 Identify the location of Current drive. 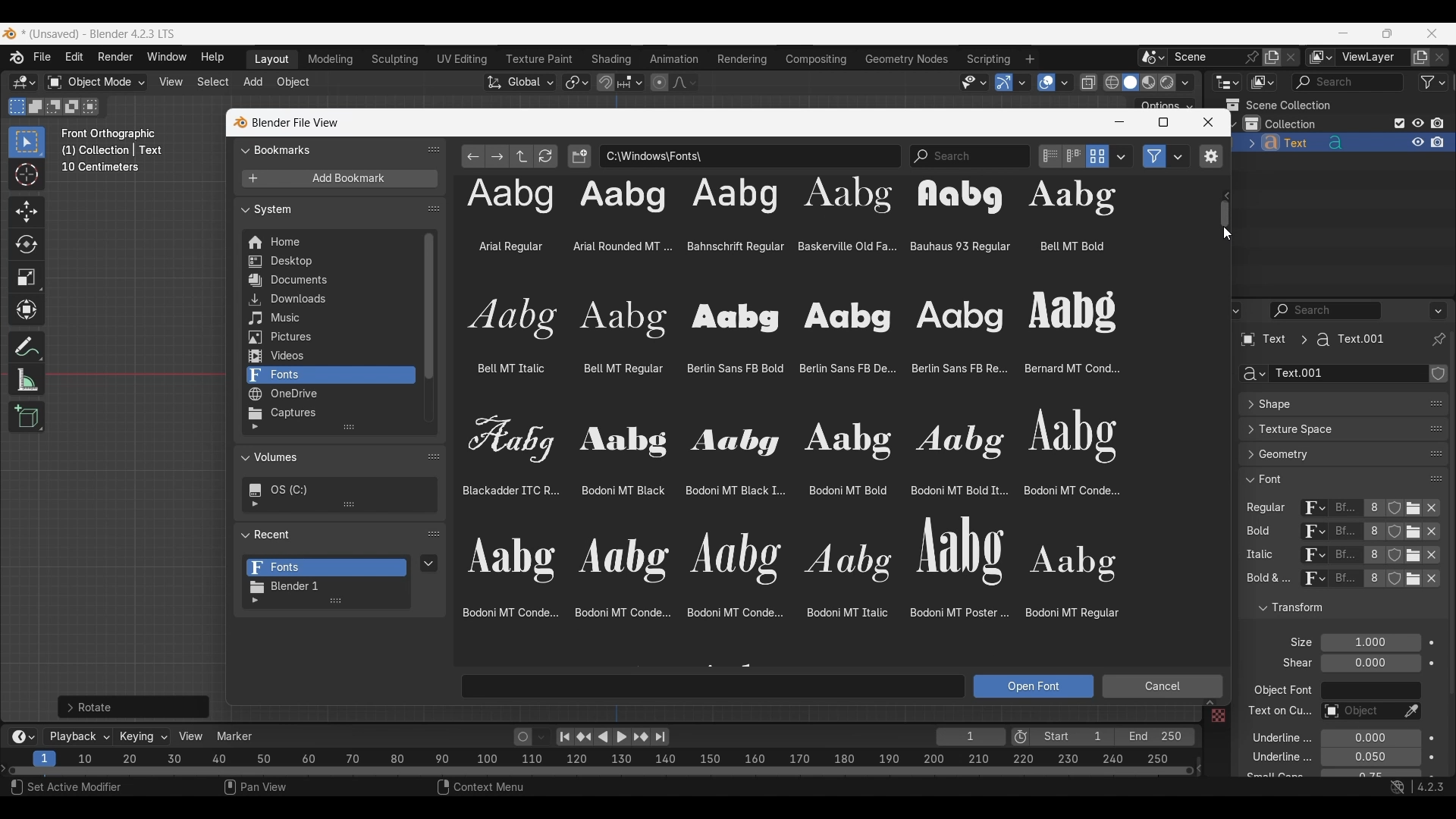
(334, 490).